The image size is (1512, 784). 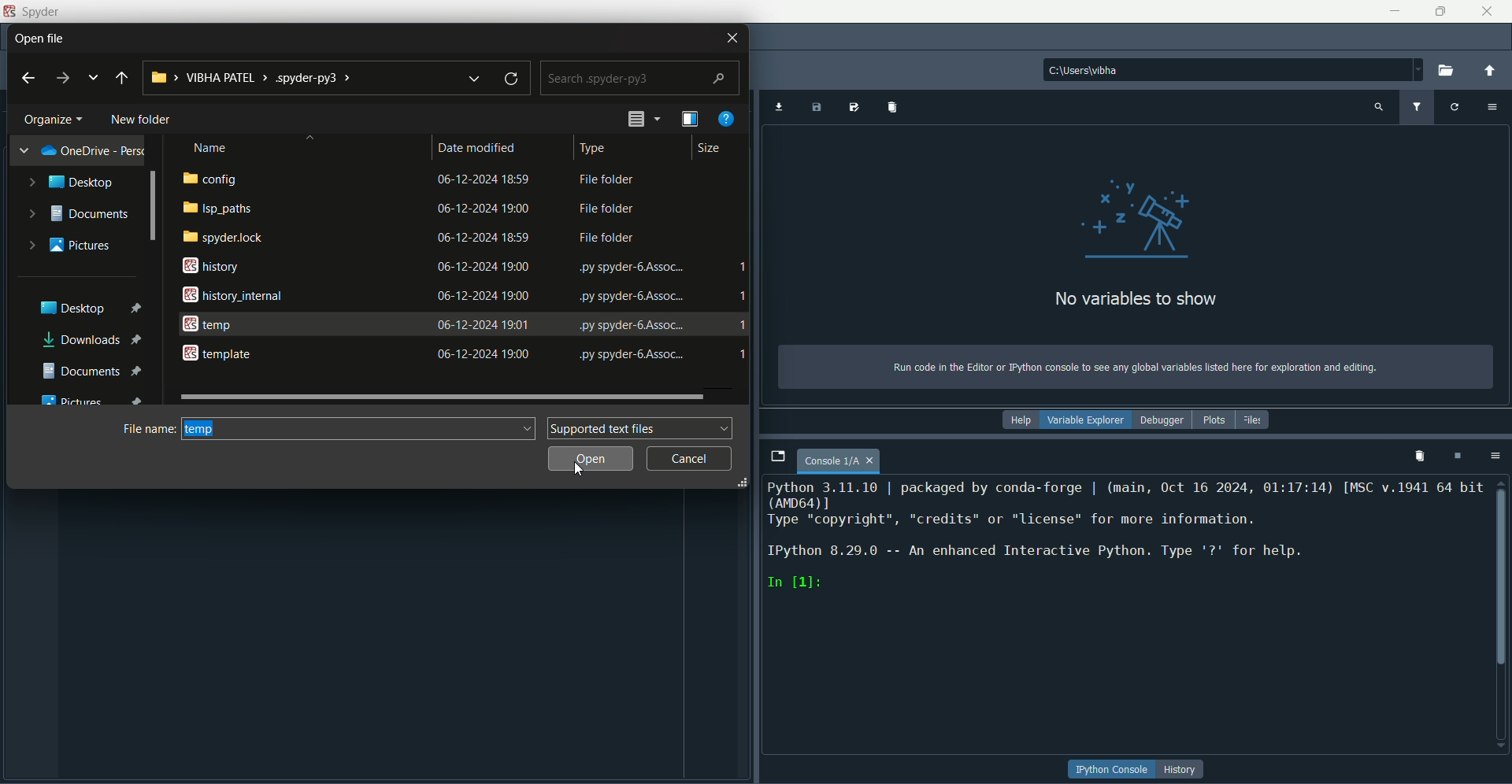 What do you see at coordinates (780, 108) in the screenshot?
I see `import data` at bounding box center [780, 108].